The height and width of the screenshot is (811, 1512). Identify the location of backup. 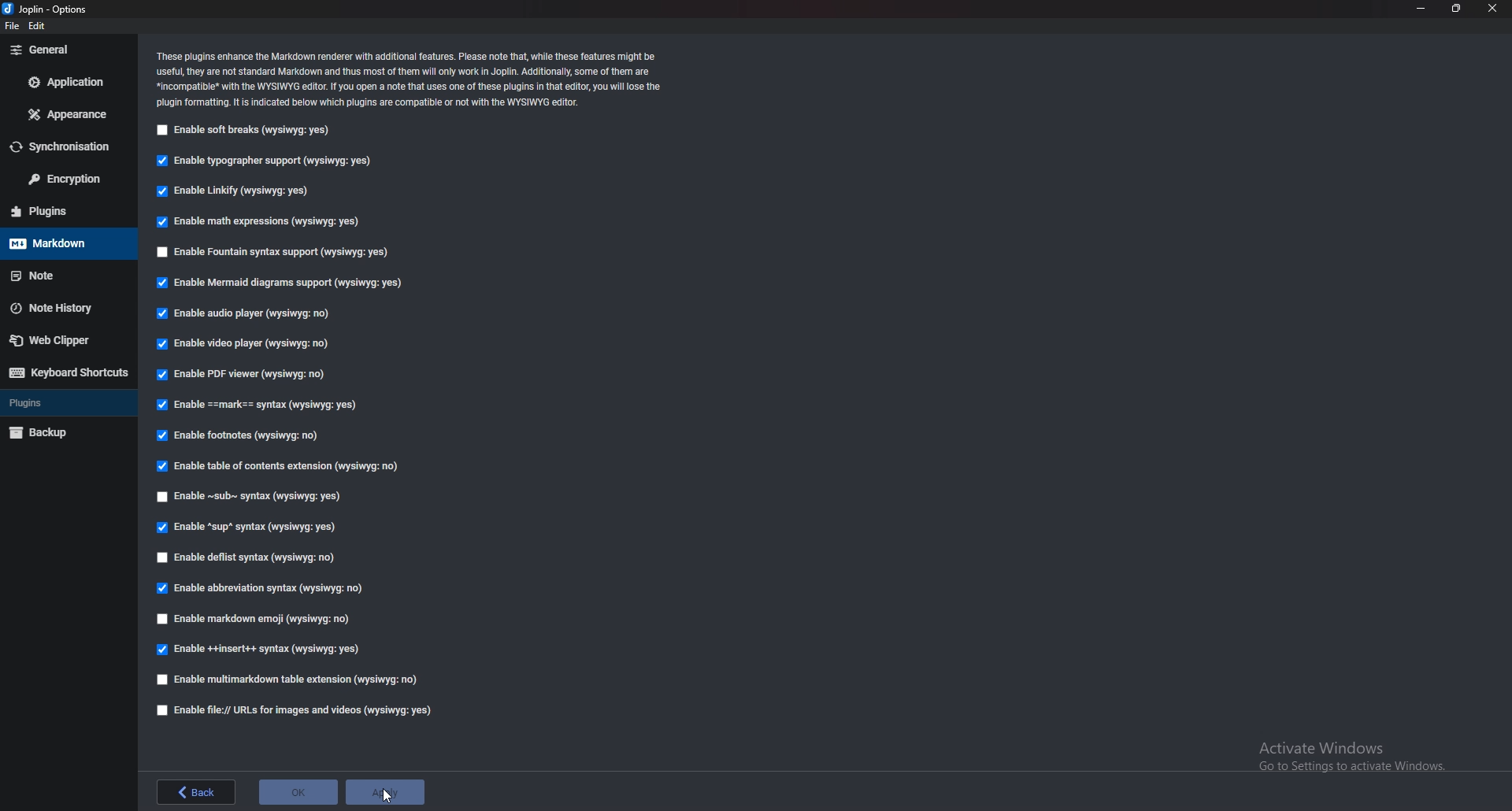
(66, 432).